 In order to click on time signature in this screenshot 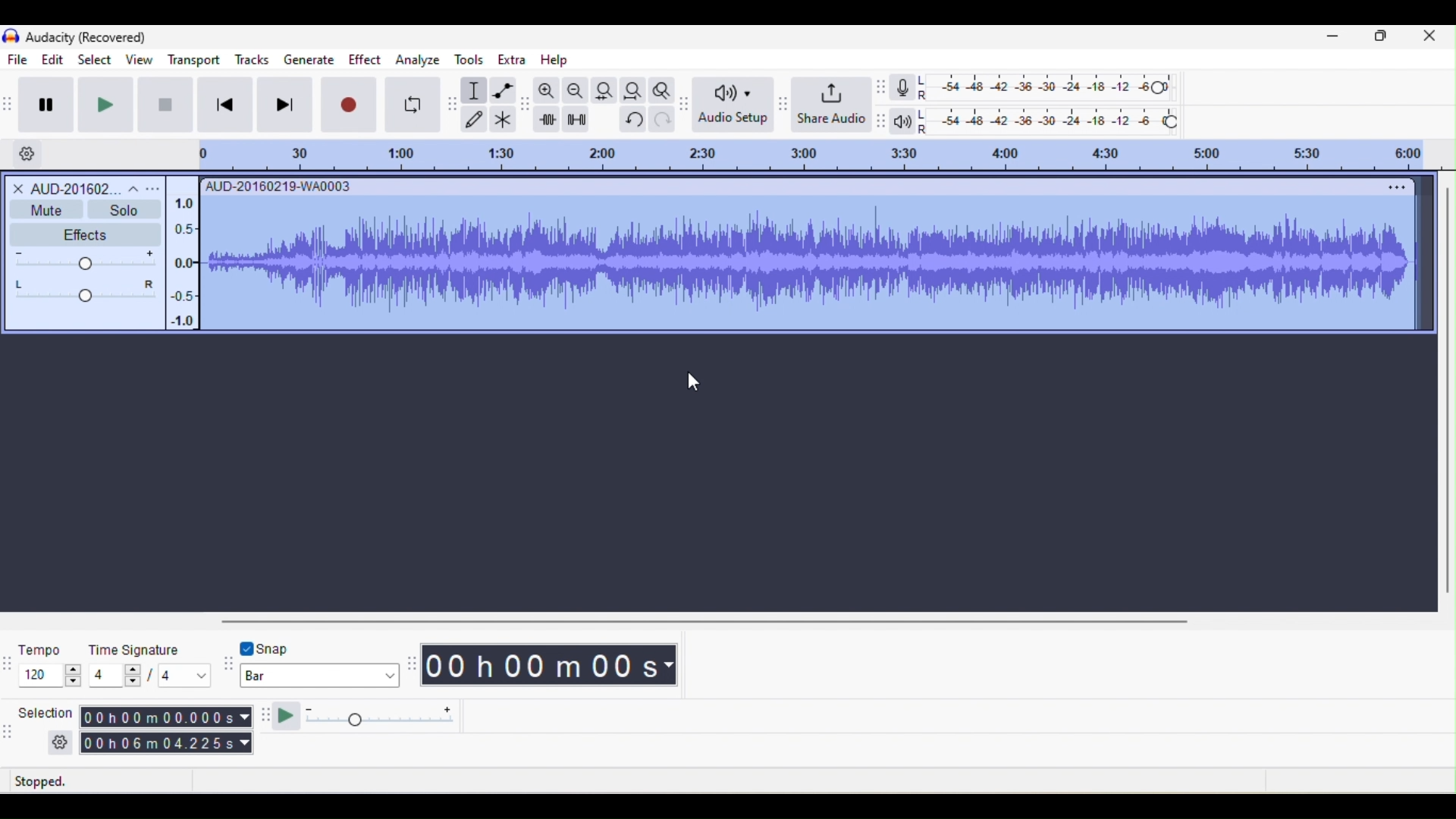, I will do `click(151, 663)`.